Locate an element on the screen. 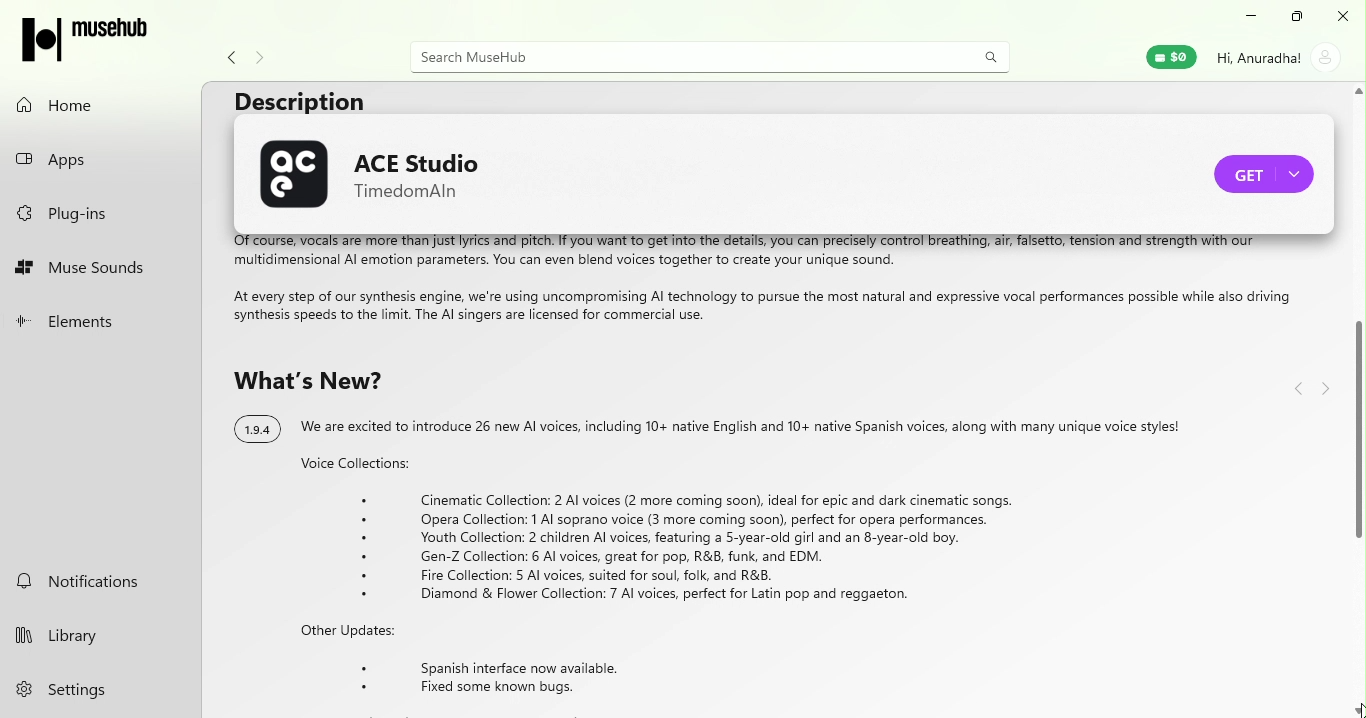  Description is located at coordinates (291, 100).